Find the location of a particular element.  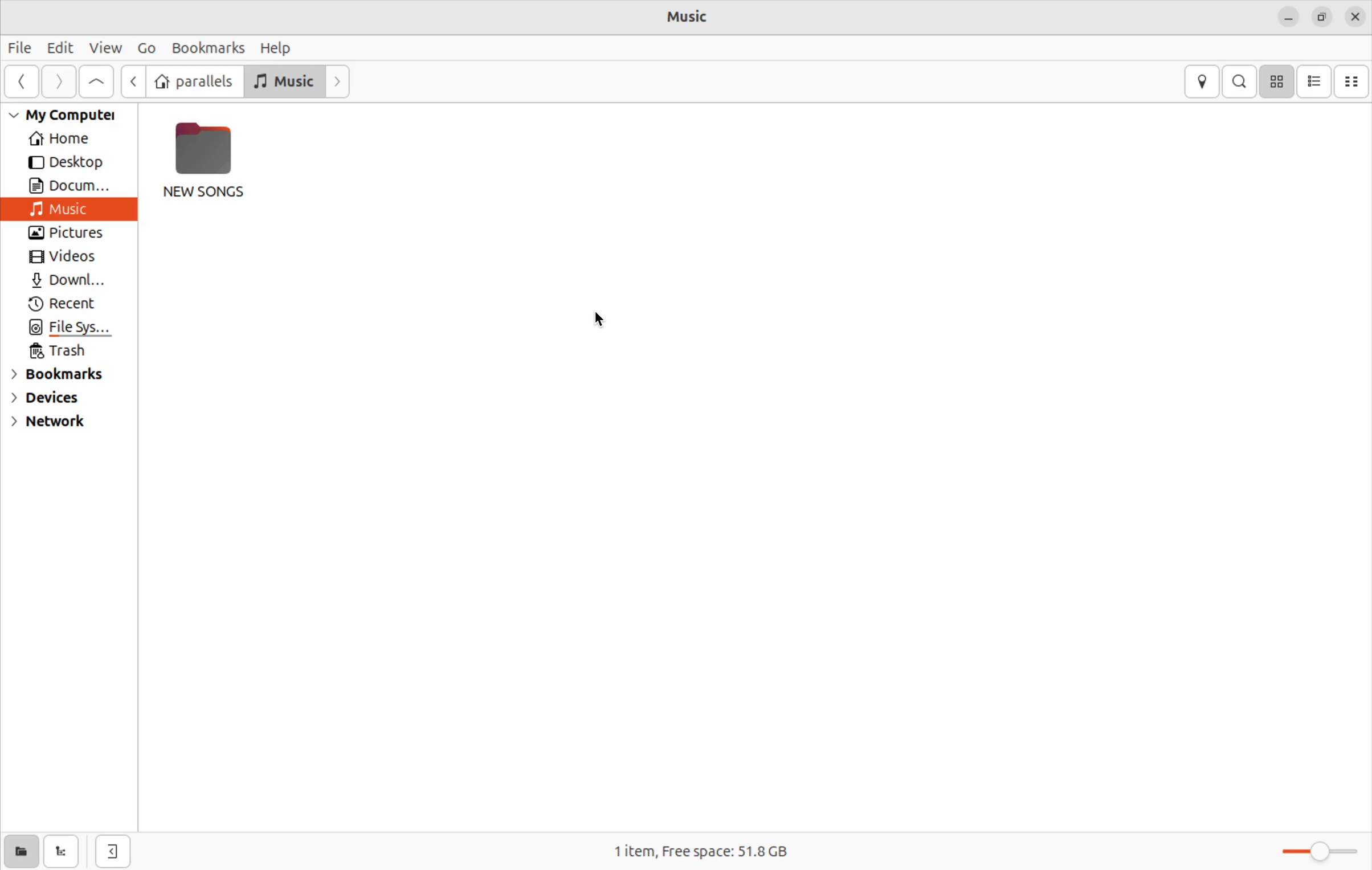

Go is located at coordinates (148, 48).